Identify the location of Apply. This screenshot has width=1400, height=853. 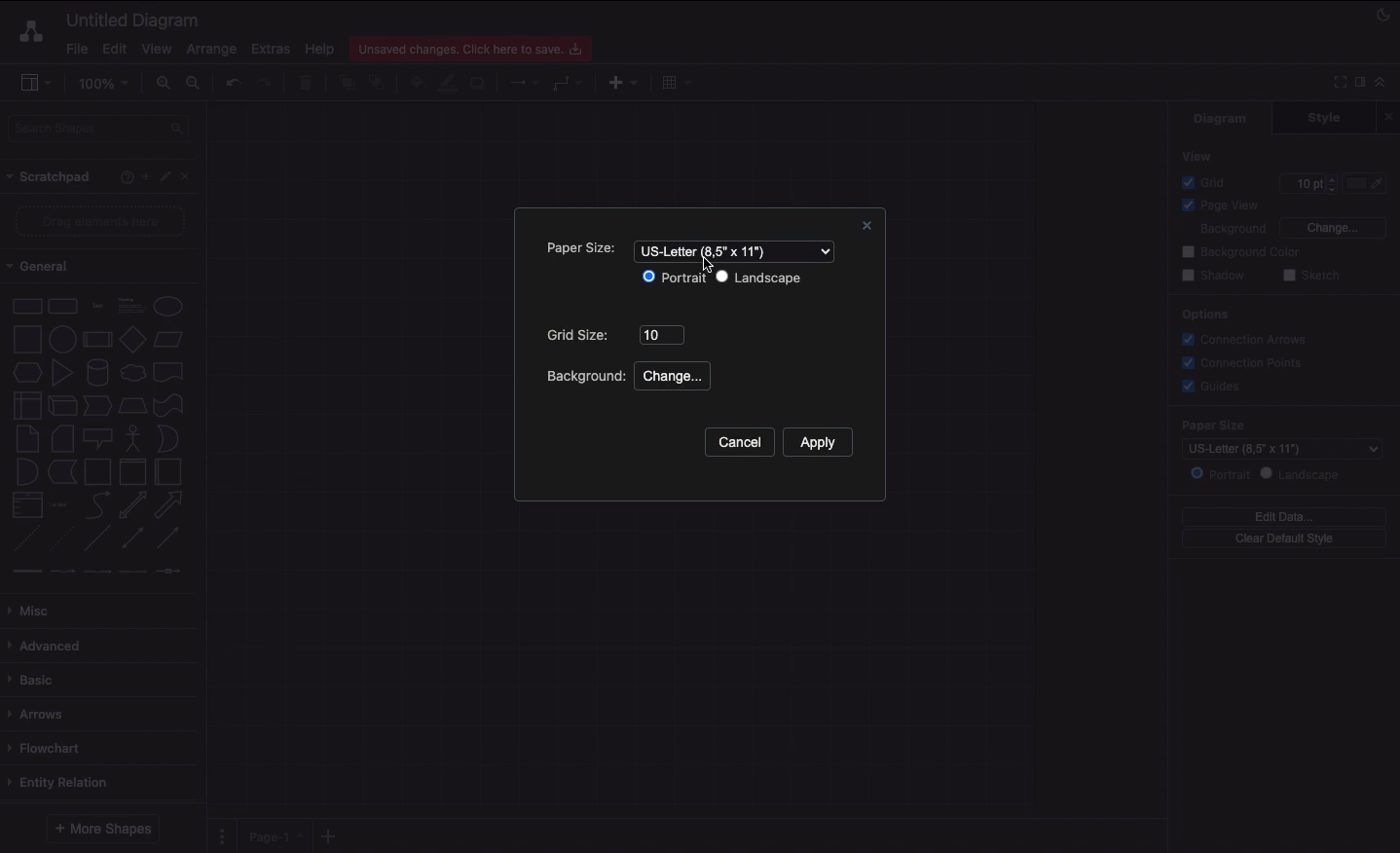
(828, 442).